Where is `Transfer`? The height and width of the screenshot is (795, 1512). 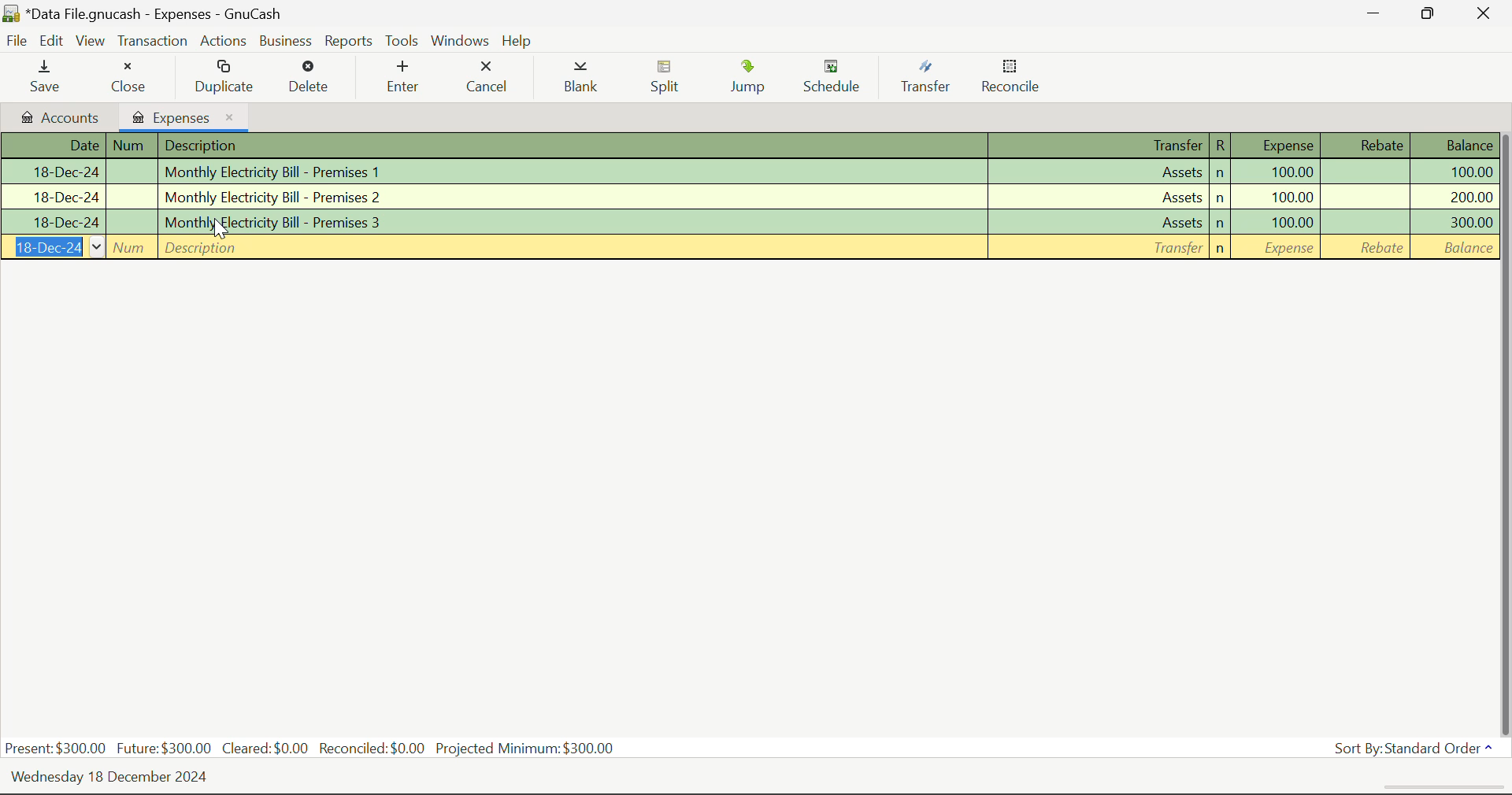
Transfer is located at coordinates (929, 79).